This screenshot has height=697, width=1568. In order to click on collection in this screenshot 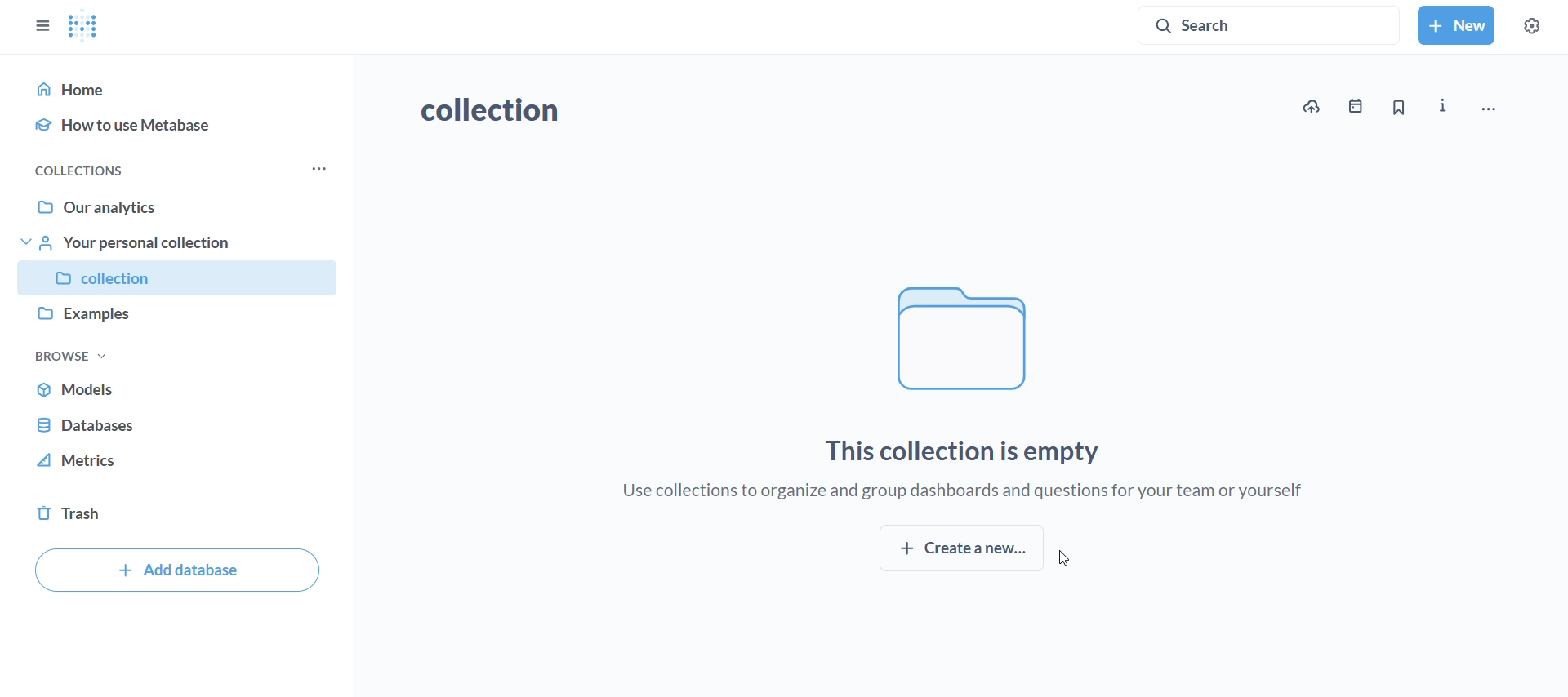, I will do `click(493, 111)`.